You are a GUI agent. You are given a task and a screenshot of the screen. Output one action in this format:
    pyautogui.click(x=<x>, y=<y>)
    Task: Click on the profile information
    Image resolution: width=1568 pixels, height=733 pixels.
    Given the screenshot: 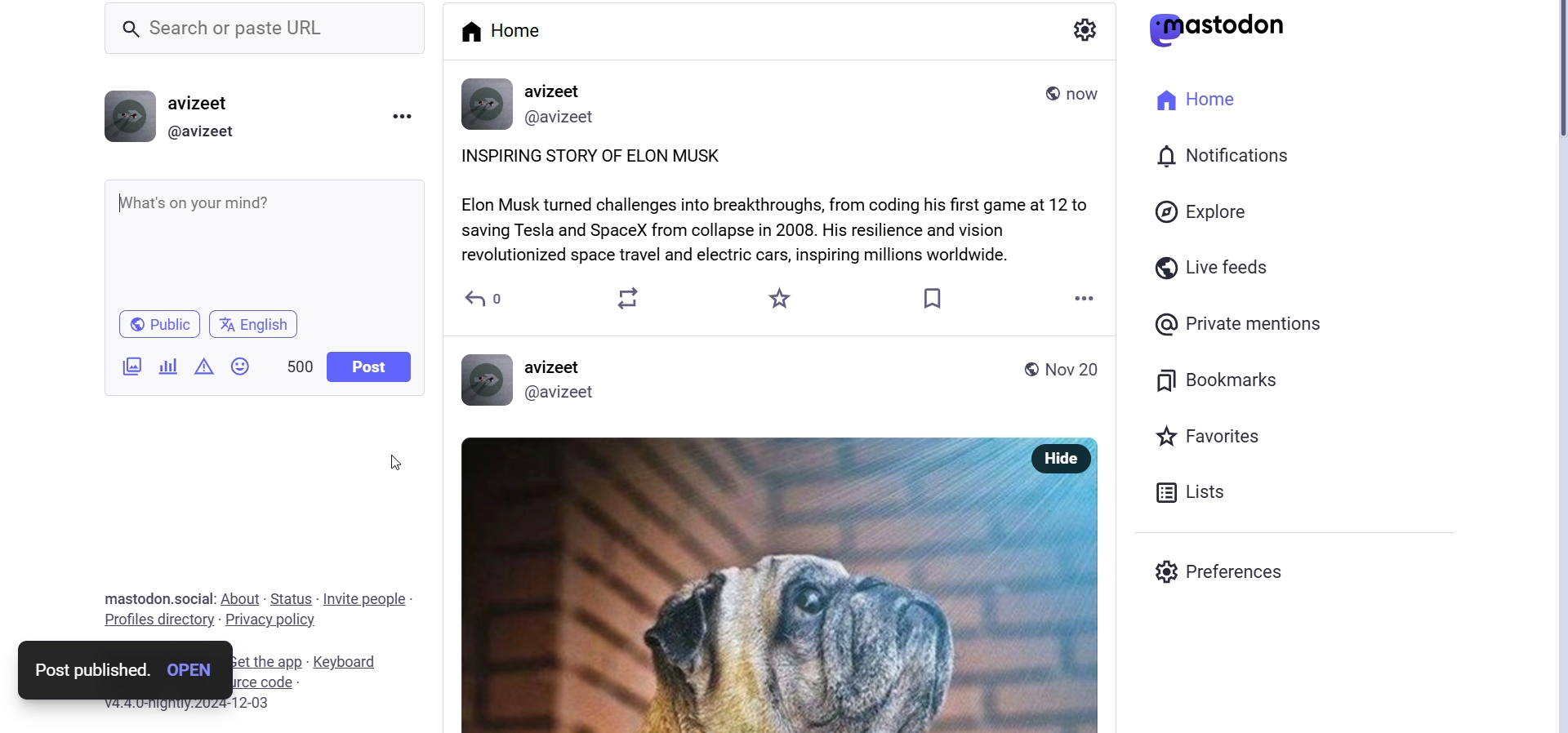 What is the action you would take?
    pyautogui.click(x=488, y=104)
    